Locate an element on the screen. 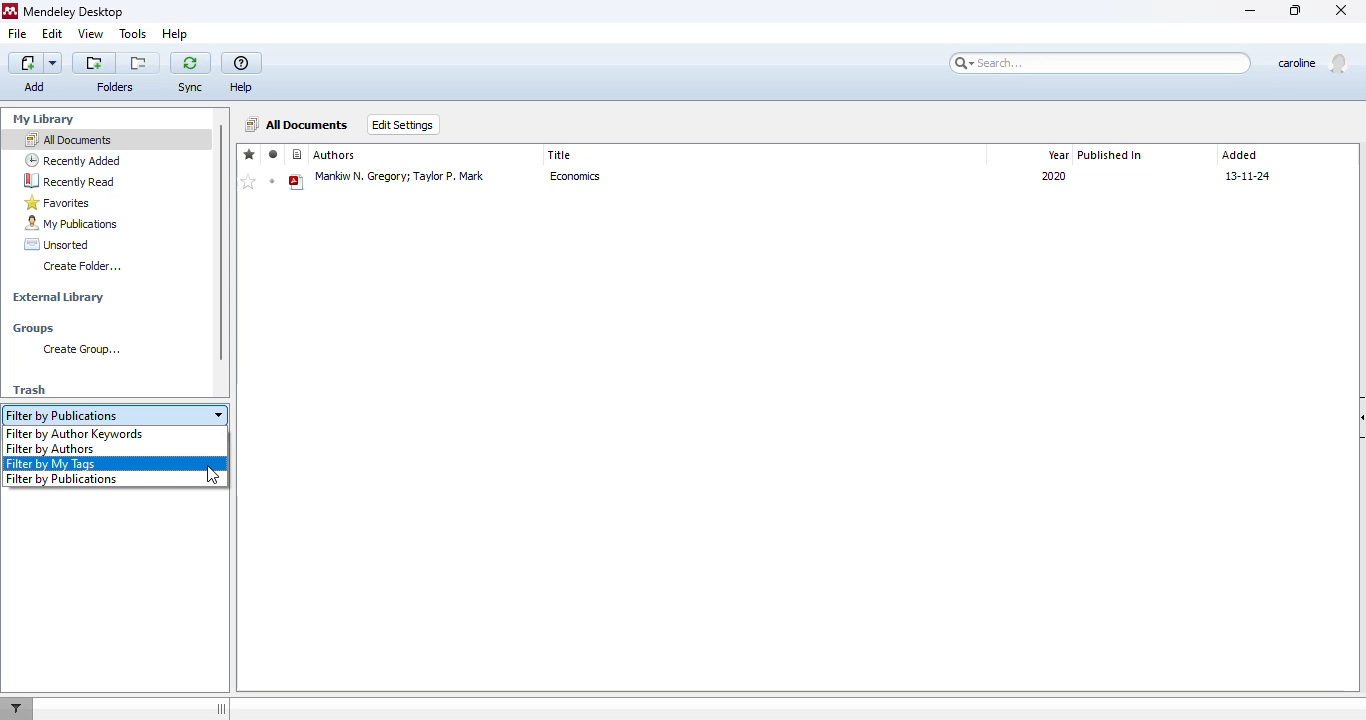 The image size is (1366, 720). filter by author keywords is located at coordinates (75, 435).